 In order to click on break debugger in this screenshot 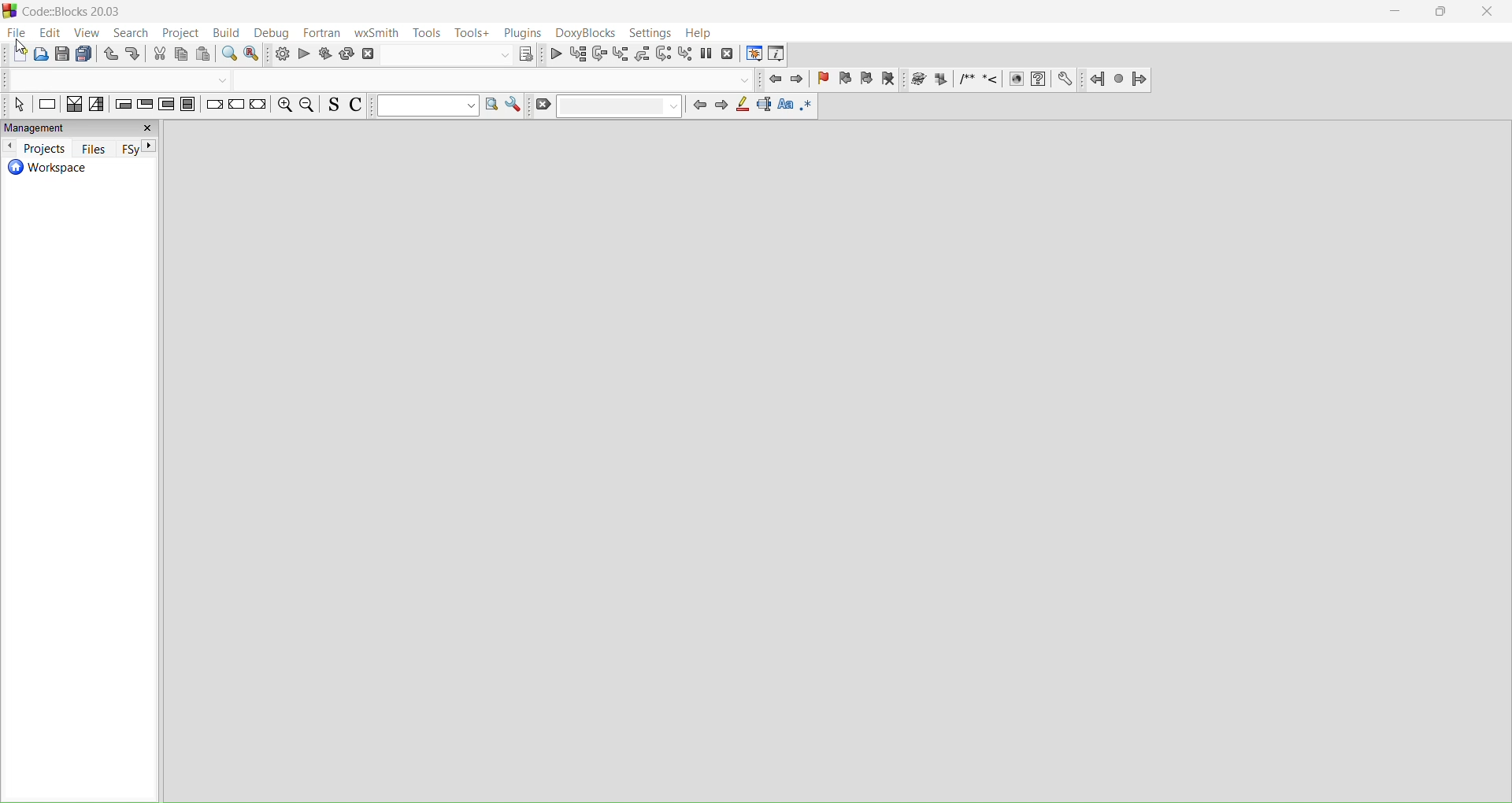, I will do `click(706, 54)`.